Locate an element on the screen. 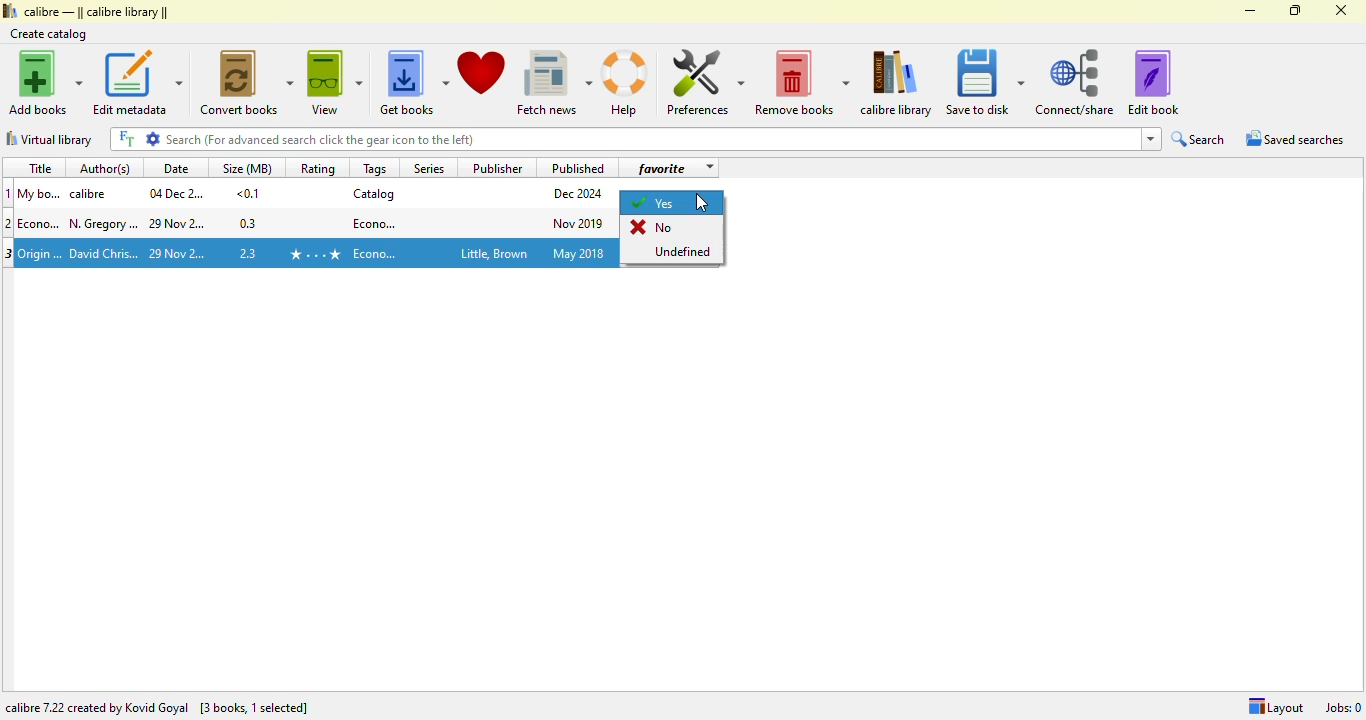  edit metadata is located at coordinates (137, 82).